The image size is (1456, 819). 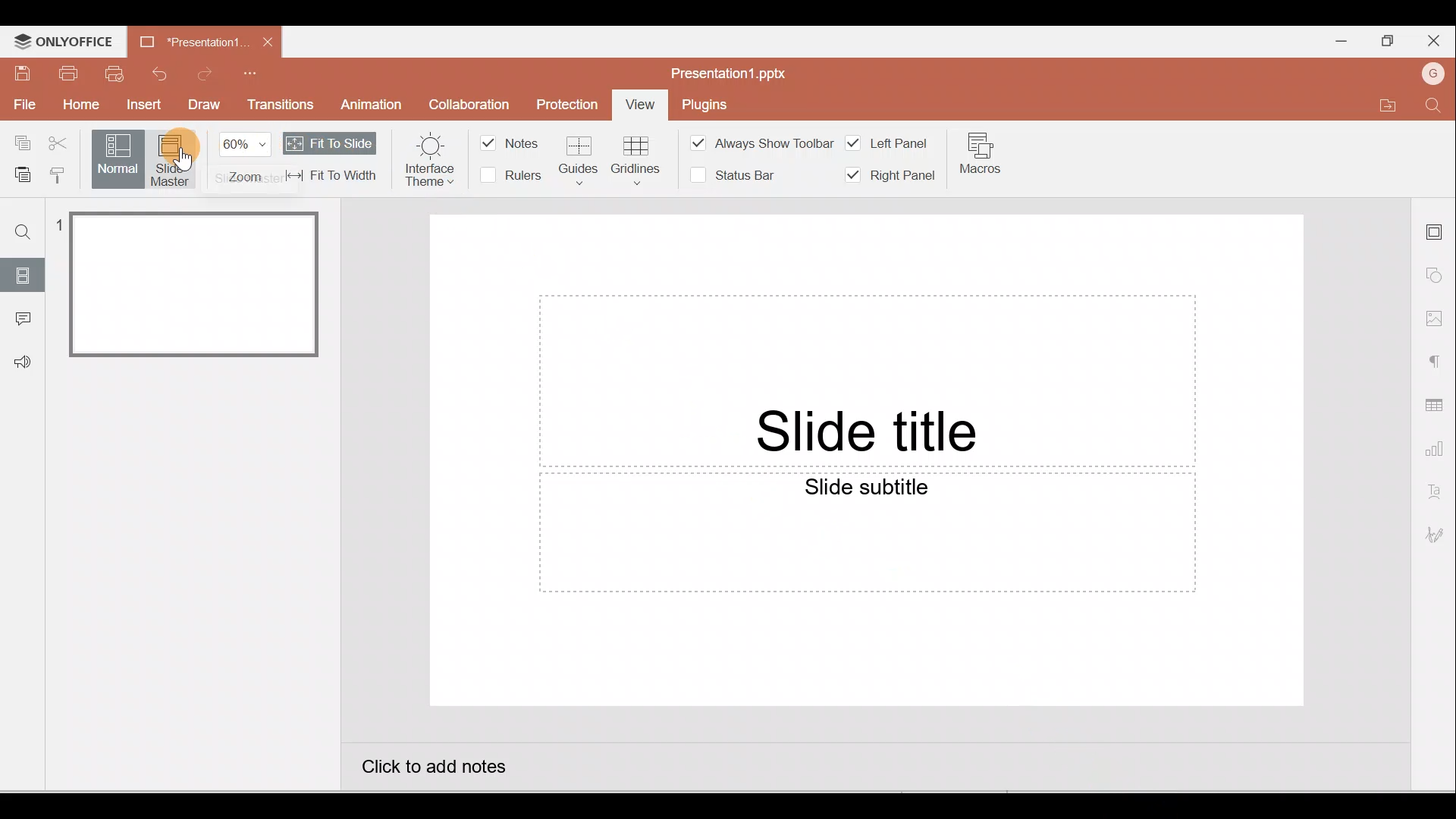 I want to click on Print file, so click(x=67, y=74).